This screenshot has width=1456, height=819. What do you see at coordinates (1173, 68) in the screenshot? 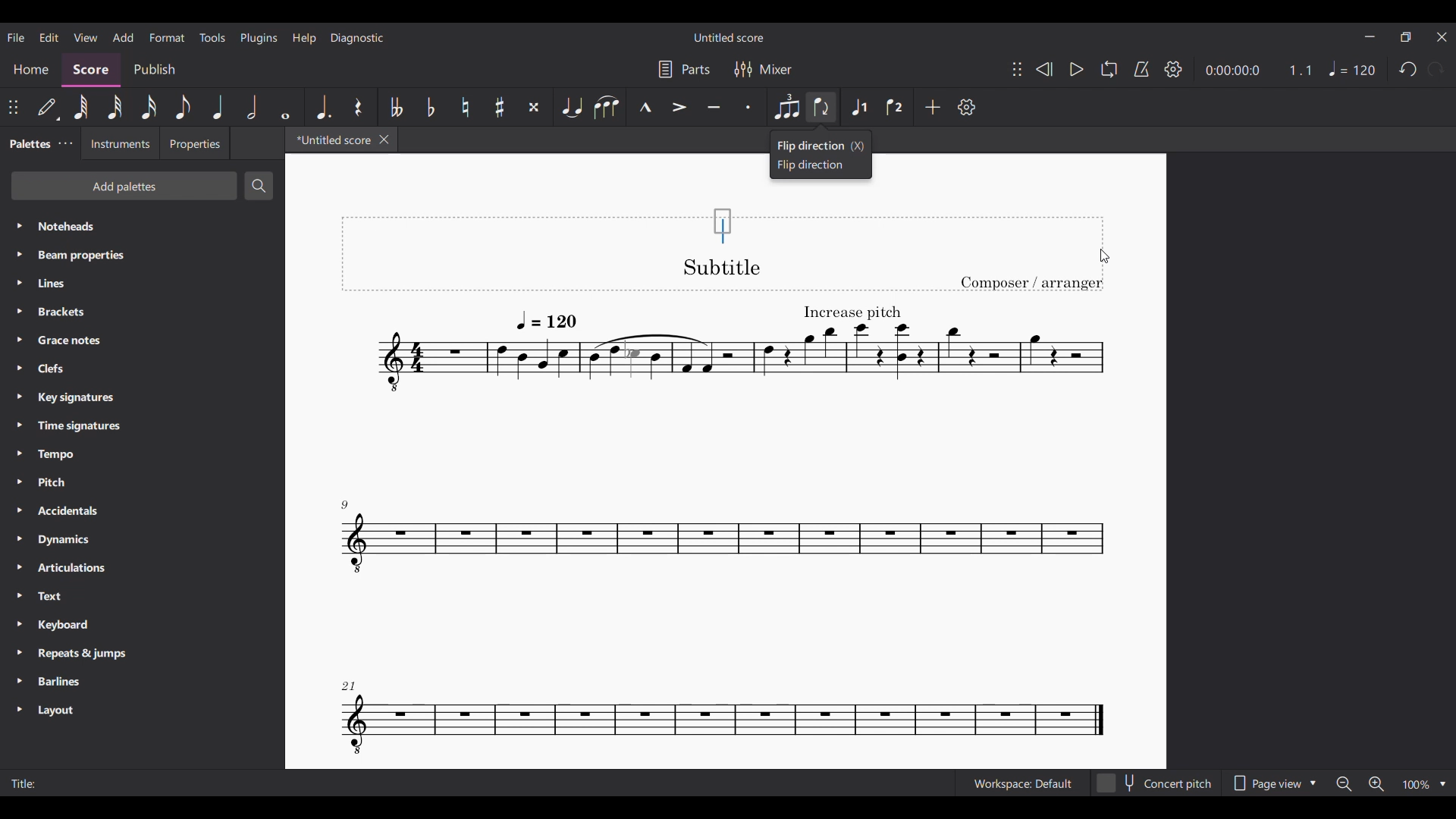
I see `Settings` at bounding box center [1173, 68].